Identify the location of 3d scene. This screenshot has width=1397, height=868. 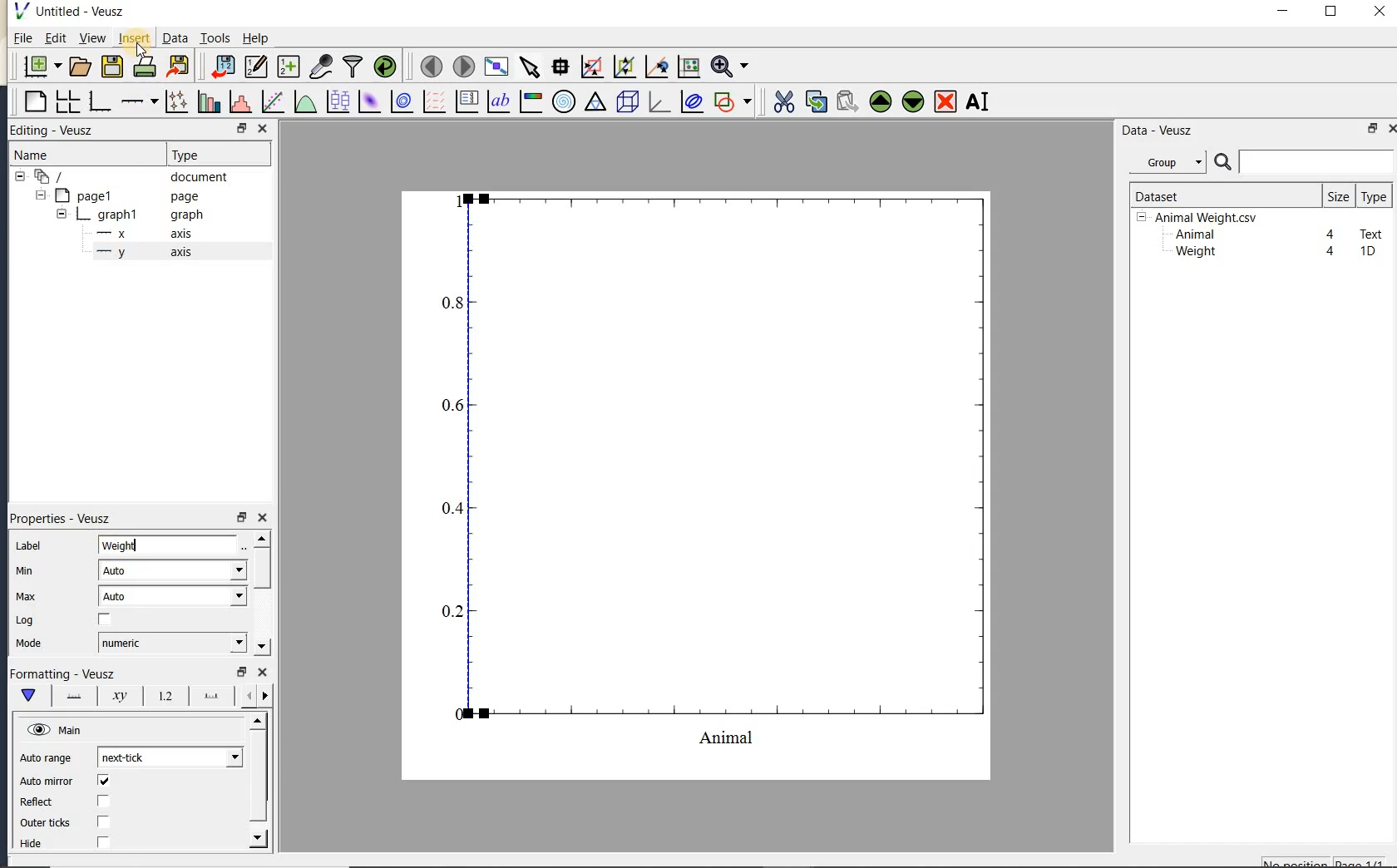
(625, 102).